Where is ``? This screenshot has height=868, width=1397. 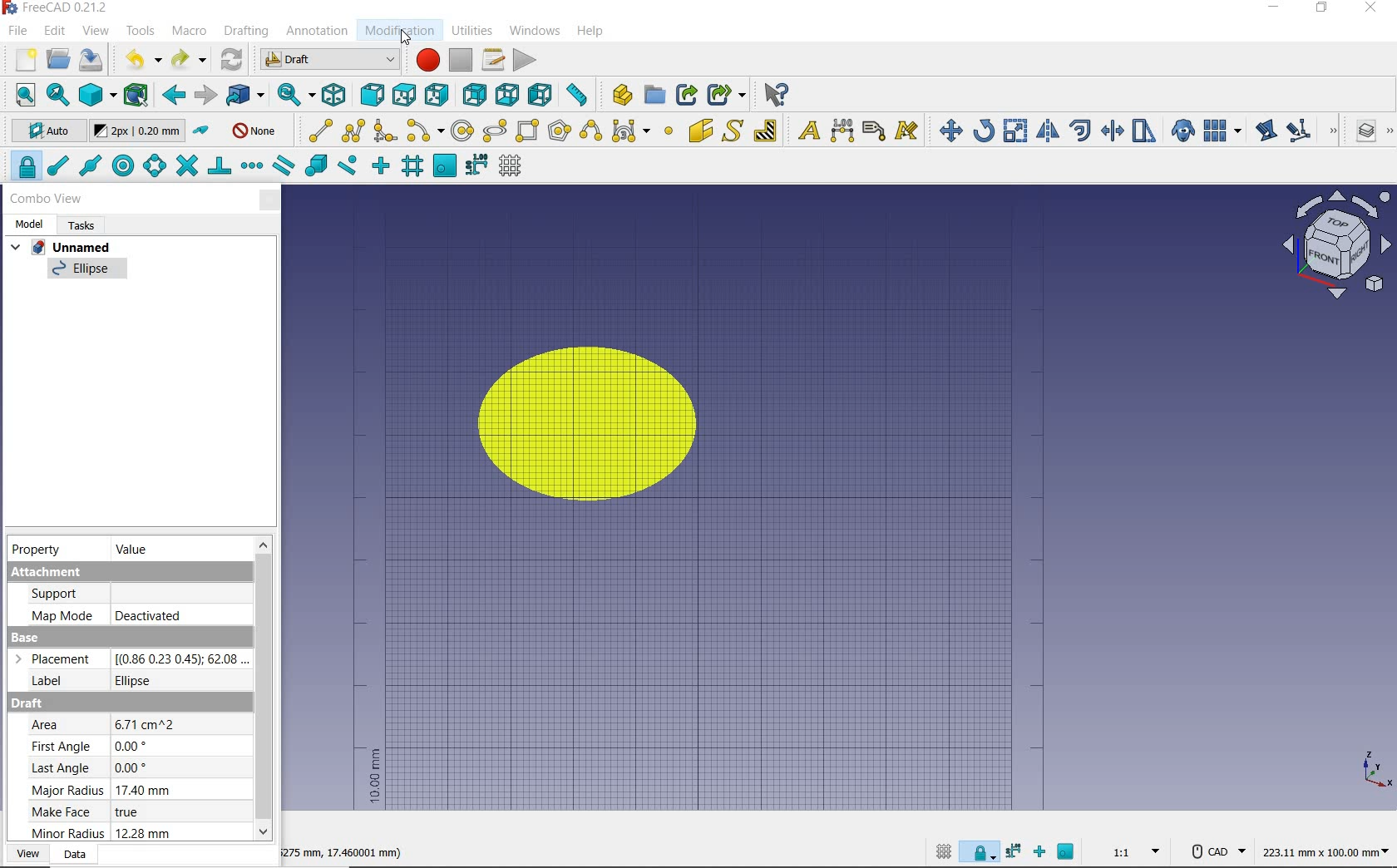  is located at coordinates (492, 60).